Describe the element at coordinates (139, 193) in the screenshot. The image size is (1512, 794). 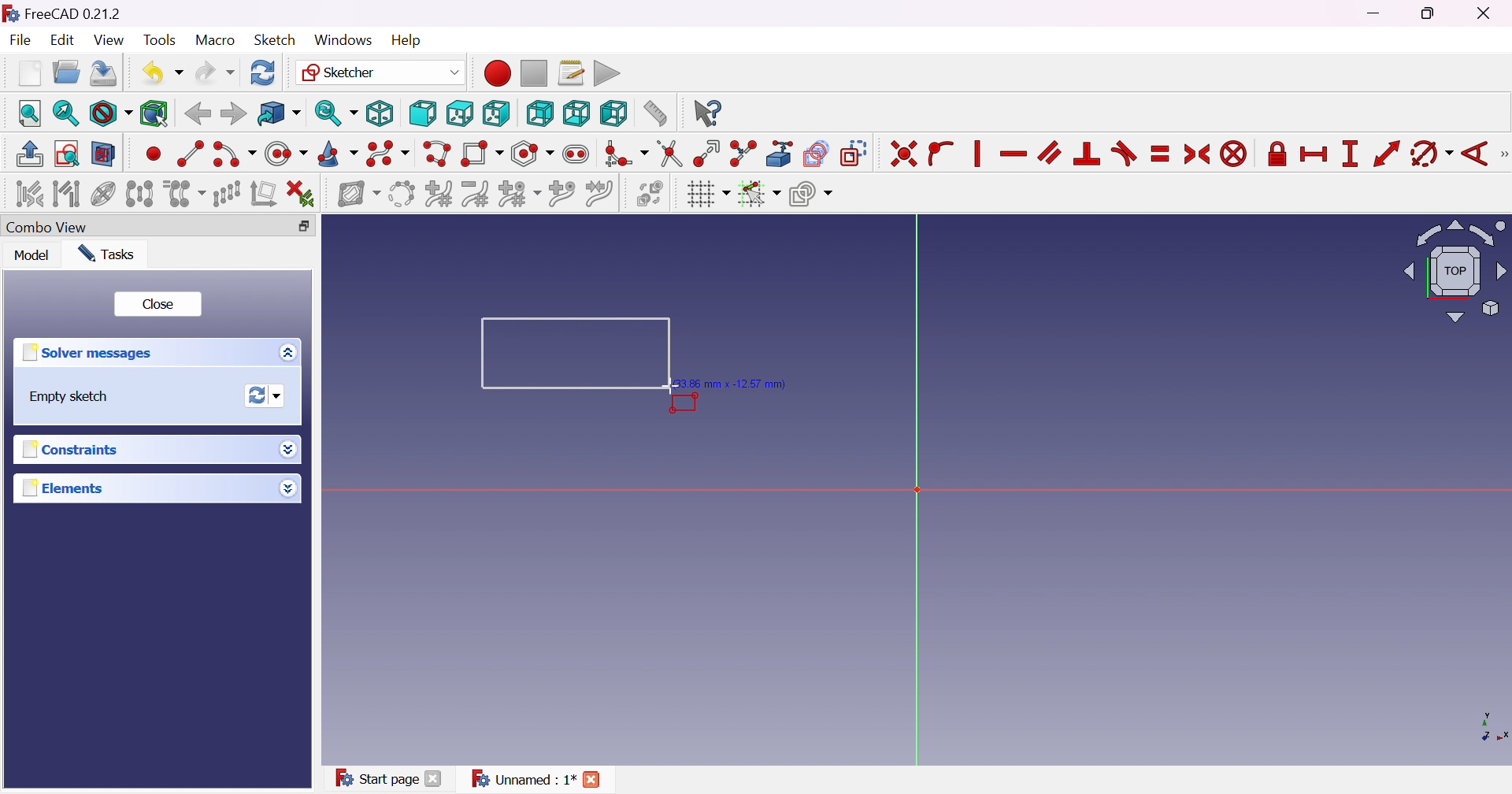
I see `Symmetry` at that location.